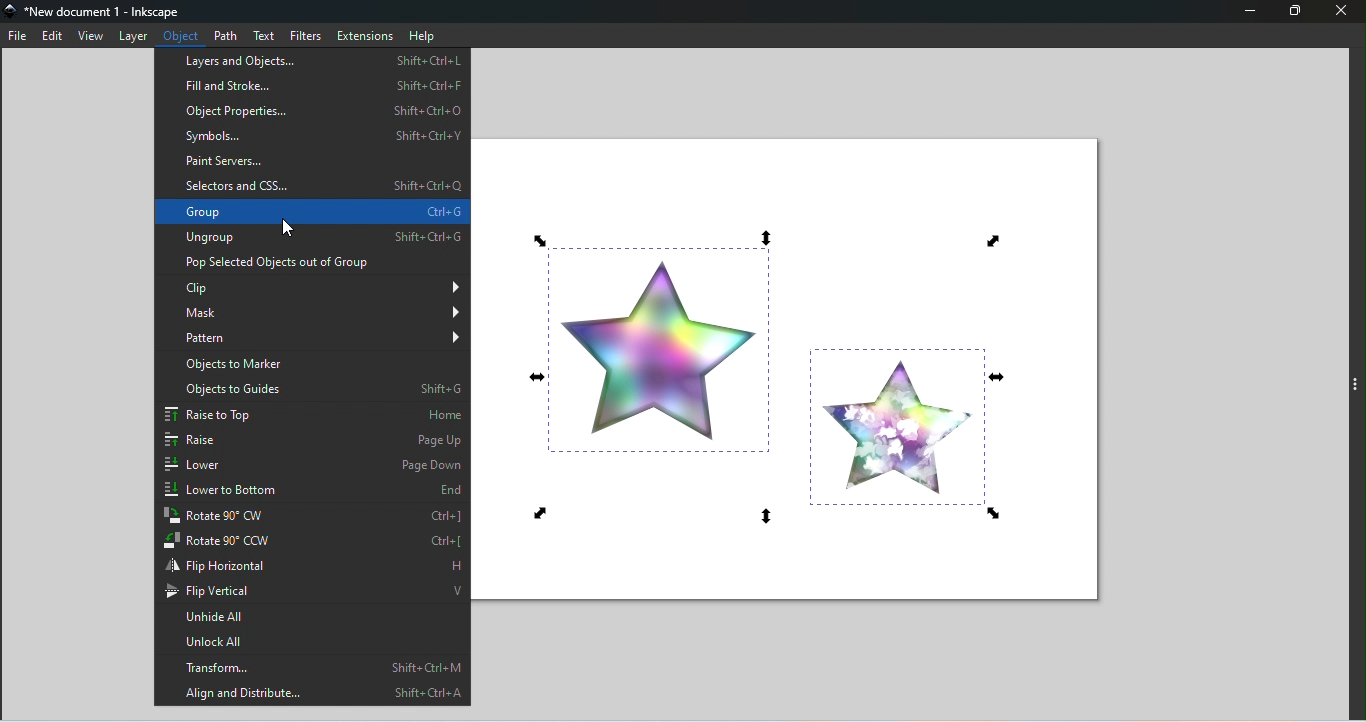 The height and width of the screenshot is (722, 1366). What do you see at coordinates (310, 443) in the screenshot?
I see `Raise` at bounding box center [310, 443].